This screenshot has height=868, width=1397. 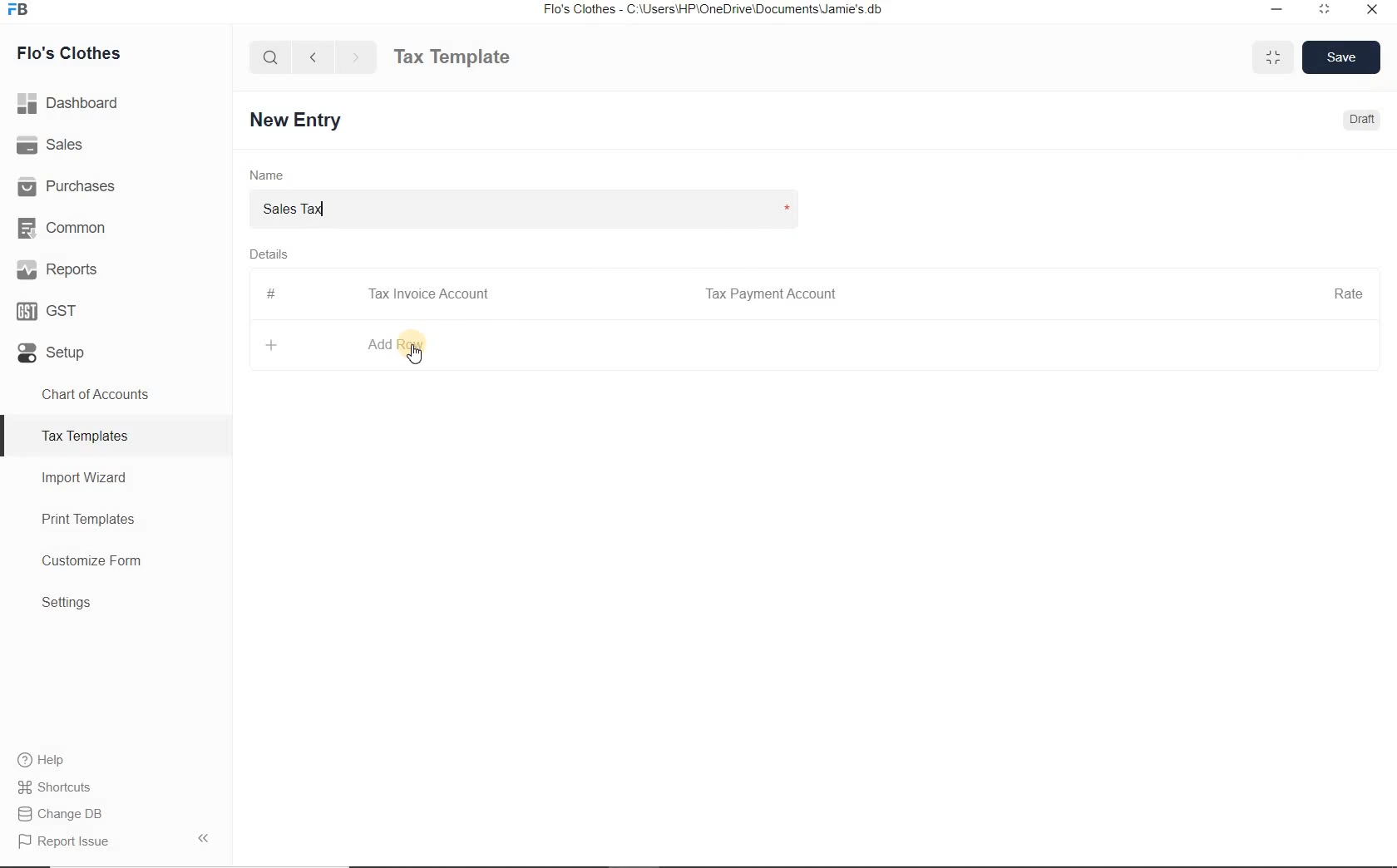 I want to click on Maximize, so click(x=1273, y=57).